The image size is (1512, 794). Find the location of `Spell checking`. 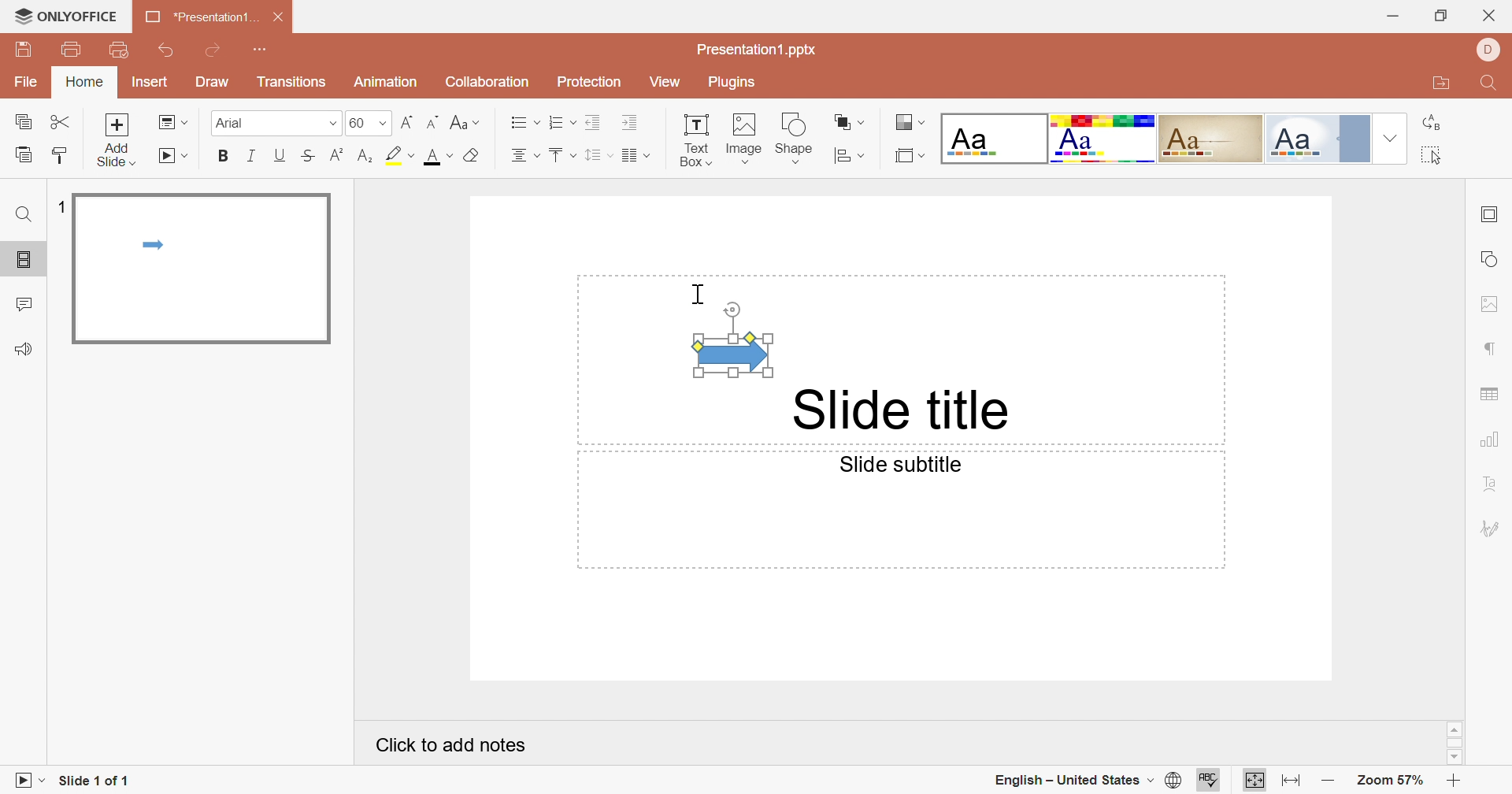

Spell checking is located at coordinates (1206, 780).